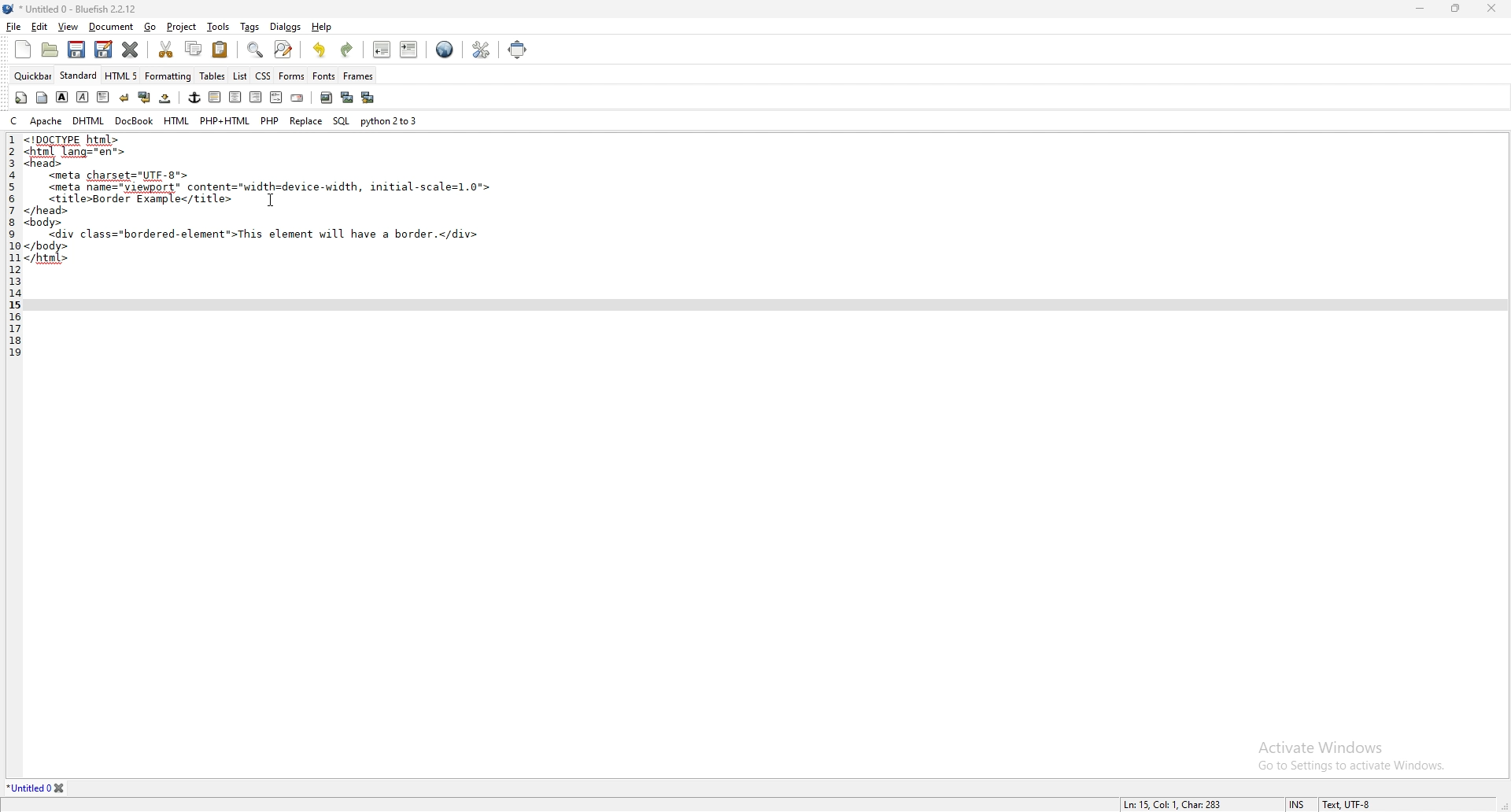 Image resolution: width=1511 pixels, height=812 pixels. Describe the element at coordinates (1300, 804) in the screenshot. I see `INS` at that location.